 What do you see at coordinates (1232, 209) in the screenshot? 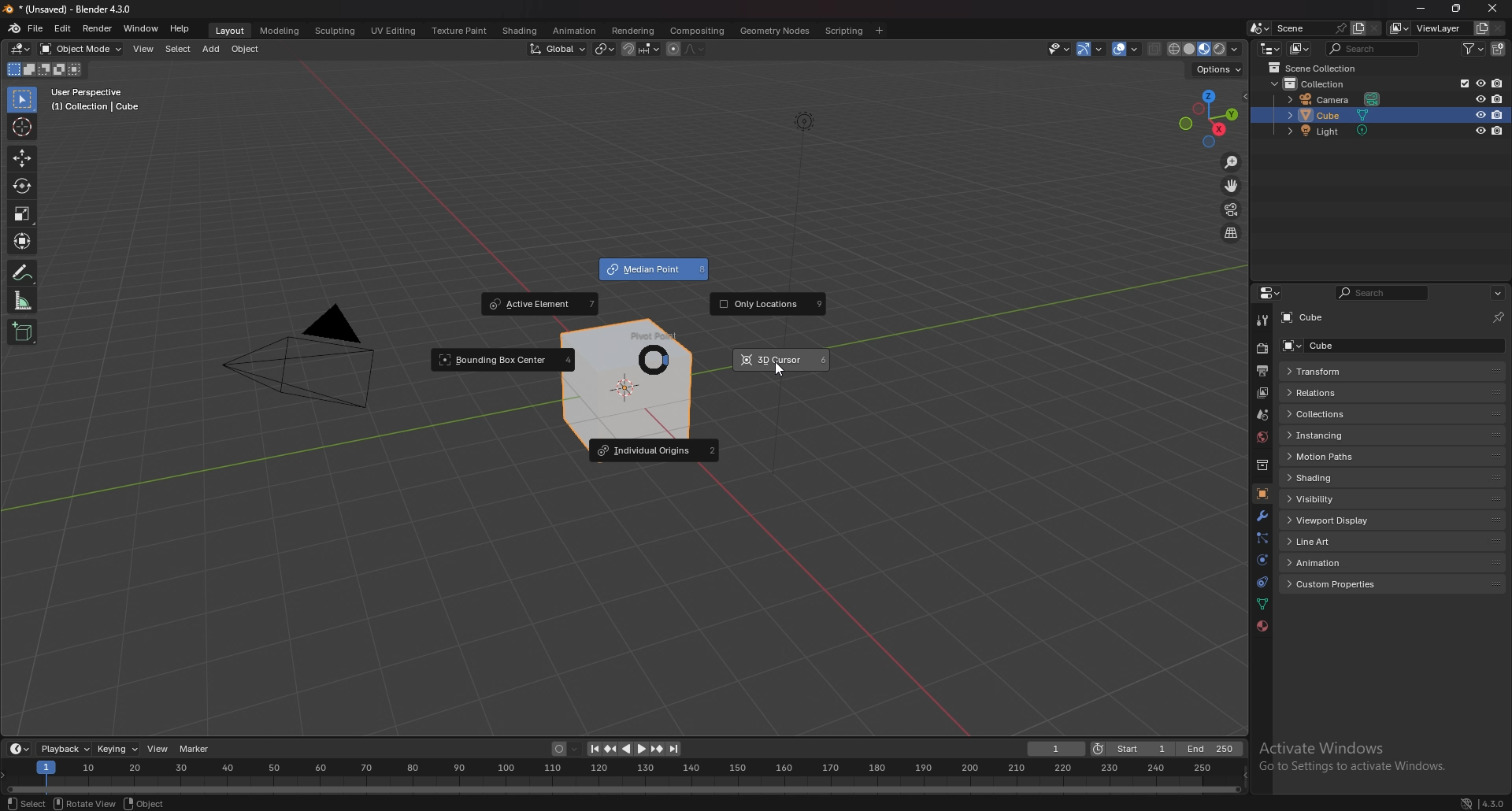
I see `camera view` at bounding box center [1232, 209].